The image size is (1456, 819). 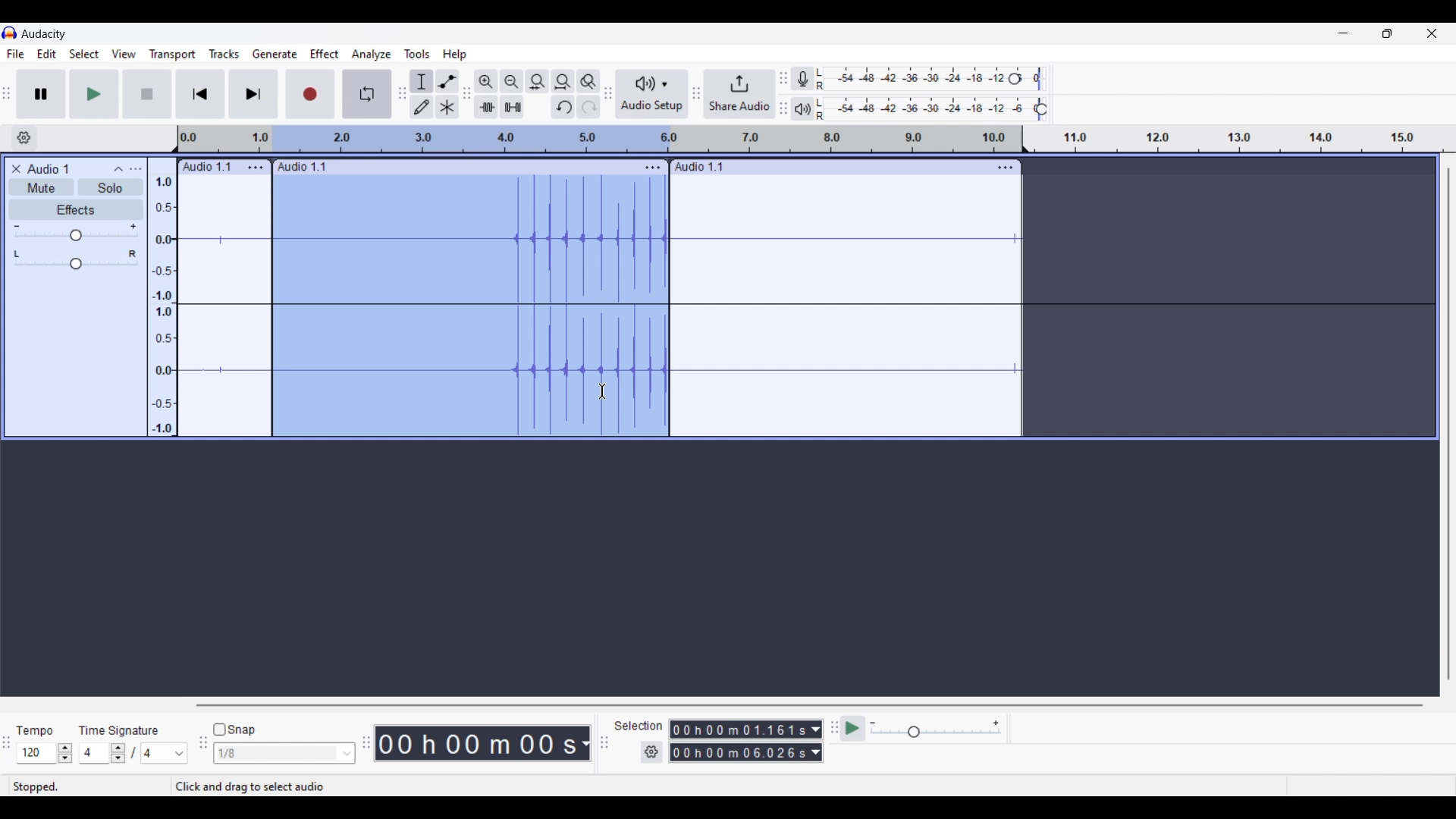 I want to click on Name of audio track, so click(x=49, y=168).